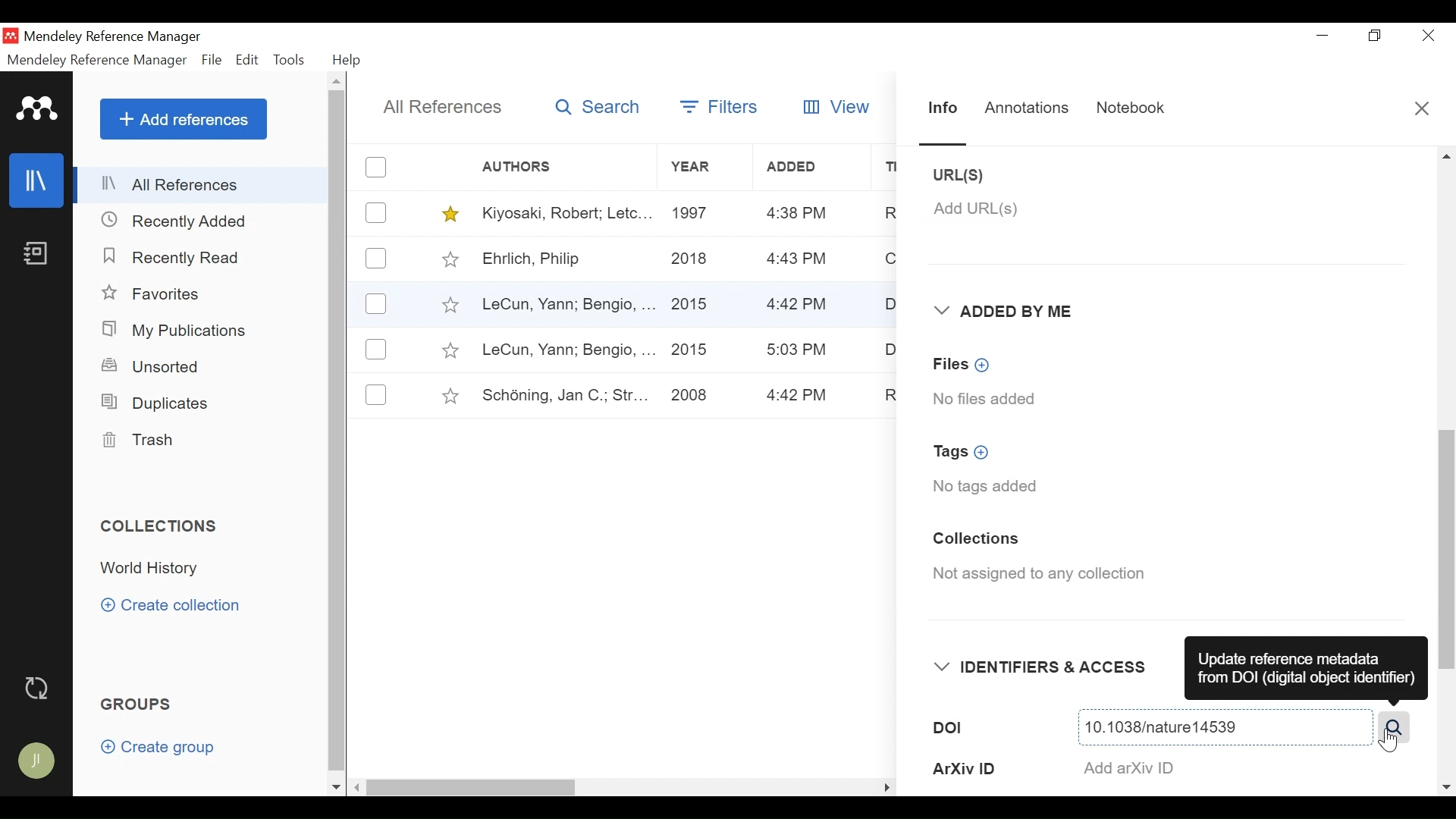 The width and height of the screenshot is (1456, 819). I want to click on Collections, so click(975, 541).